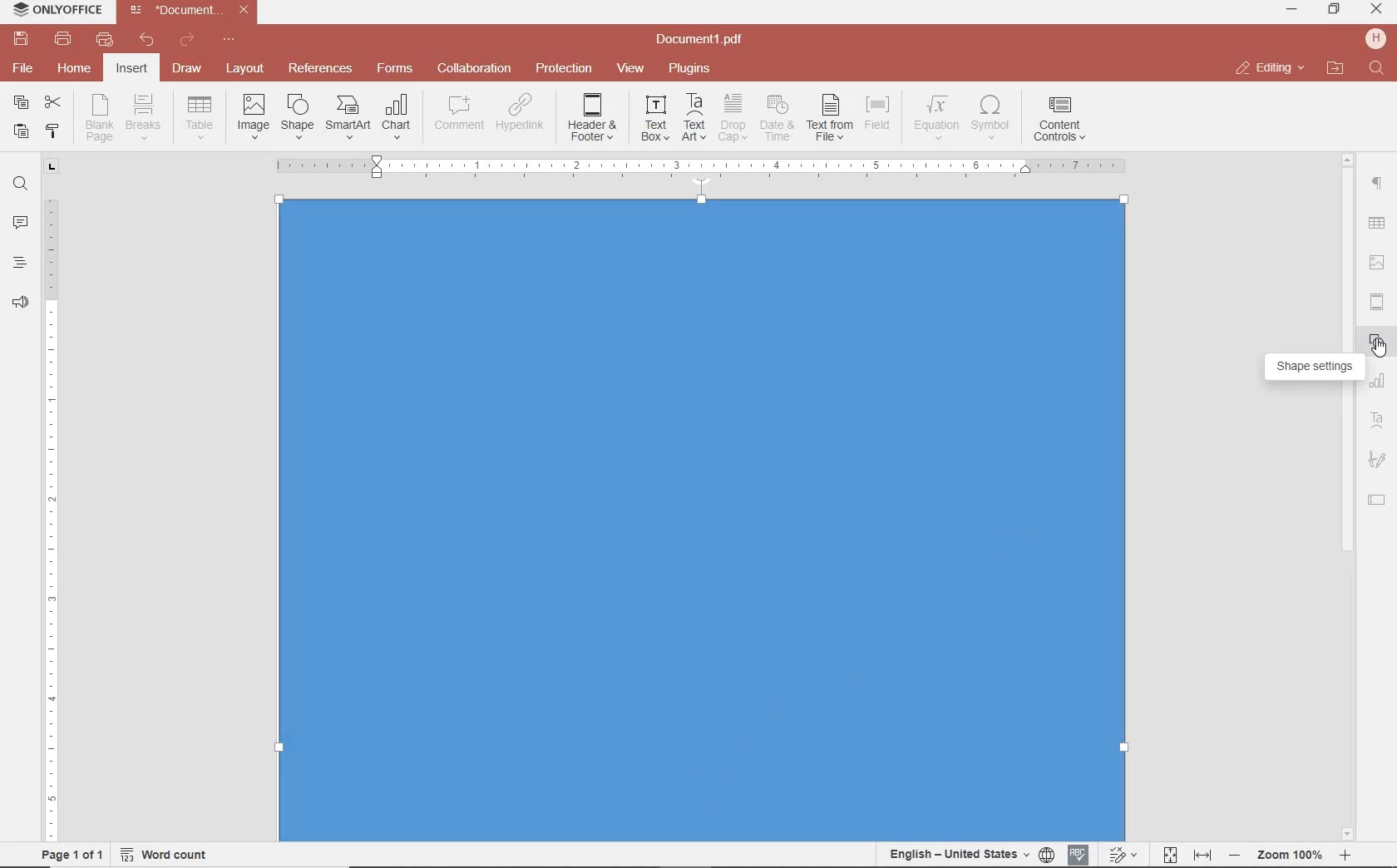  What do you see at coordinates (1290, 856) in the screenshot?
I see `` at bounding box center [1290, 856].